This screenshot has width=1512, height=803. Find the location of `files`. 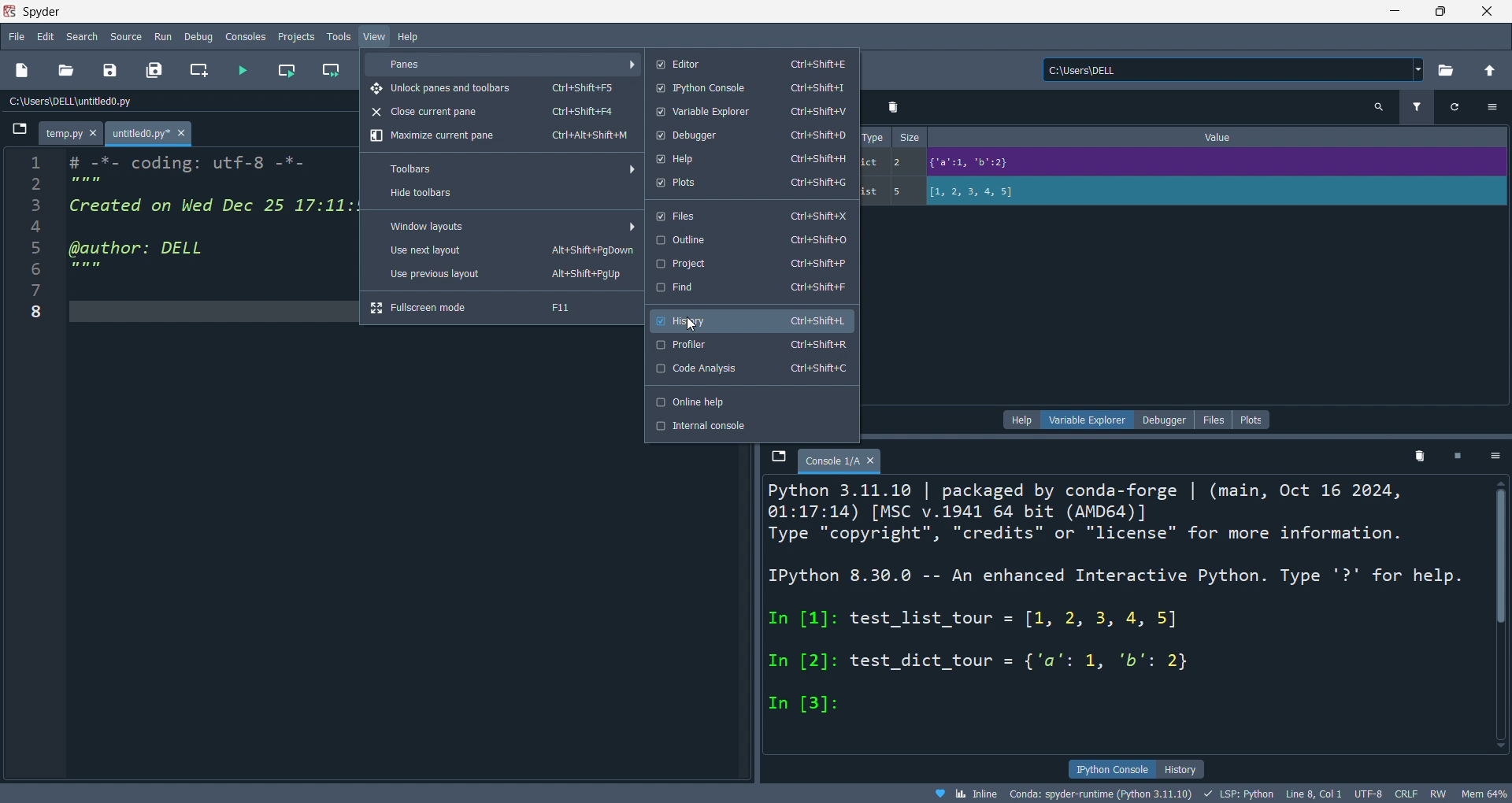

files is located at coordinates (750, 214).